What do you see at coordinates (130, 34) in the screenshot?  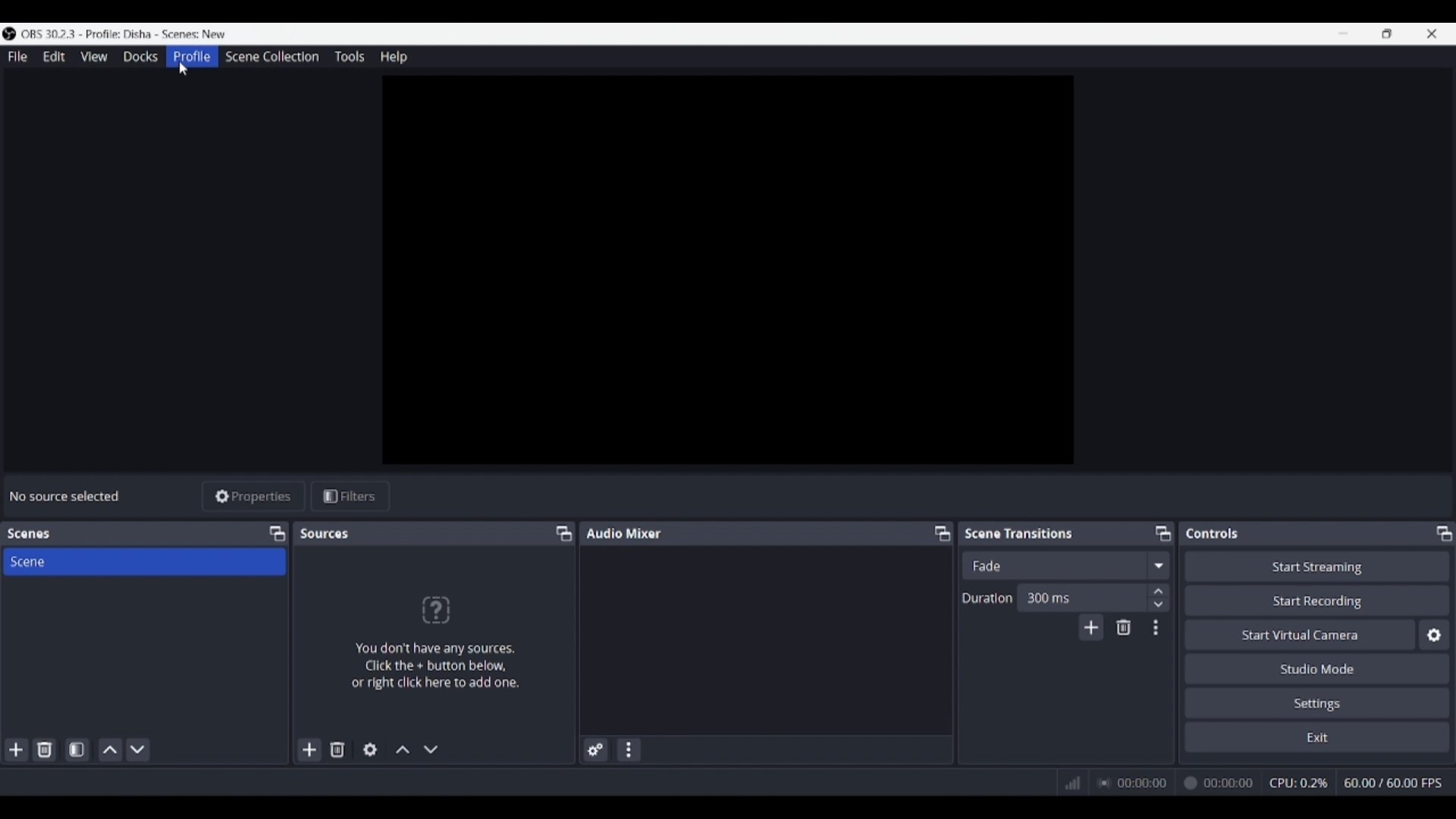 I see `Software and project name` at bounding box center [130, 34].